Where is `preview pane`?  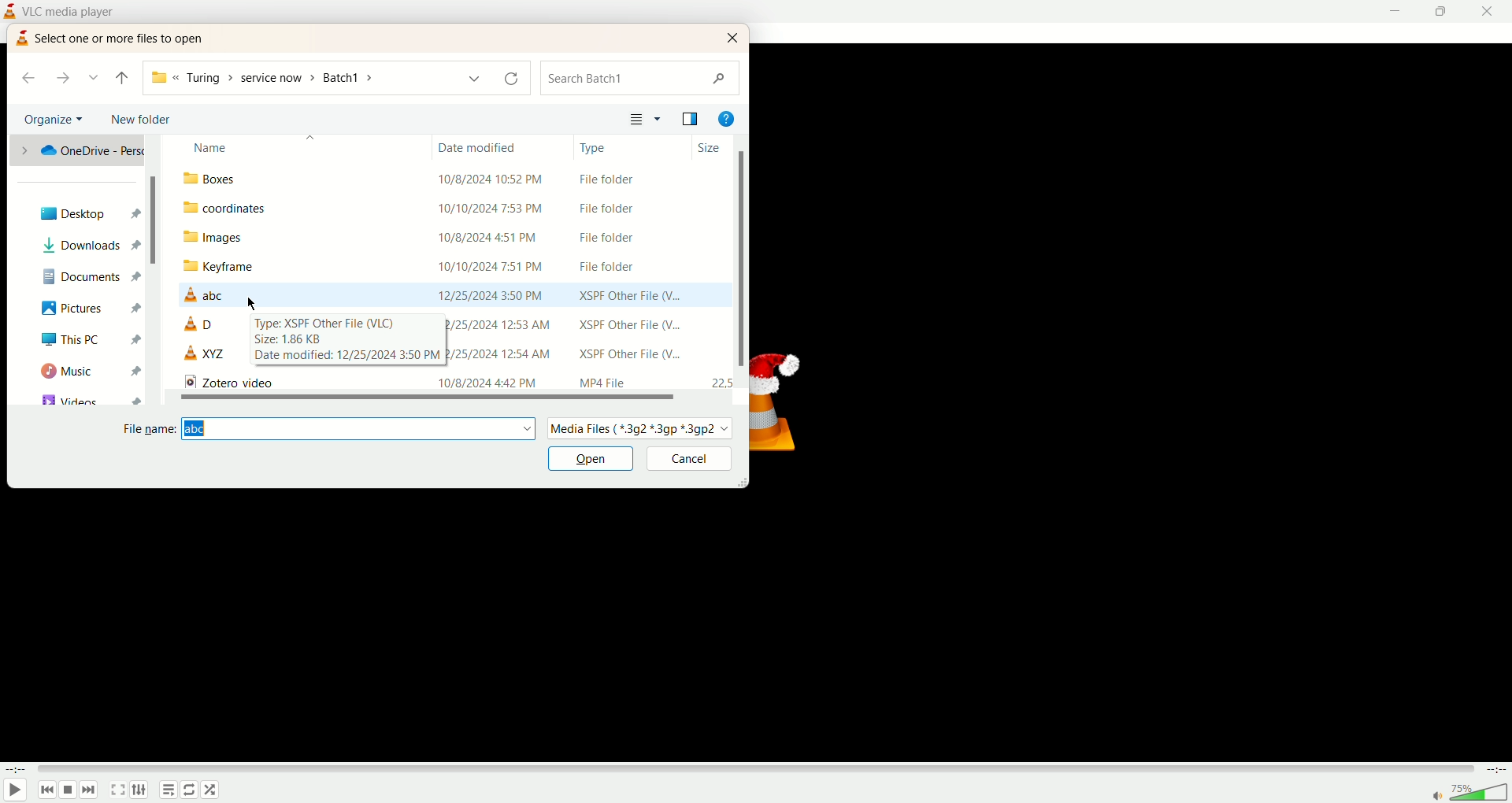 preview pane is located at coordinates (693, 121).